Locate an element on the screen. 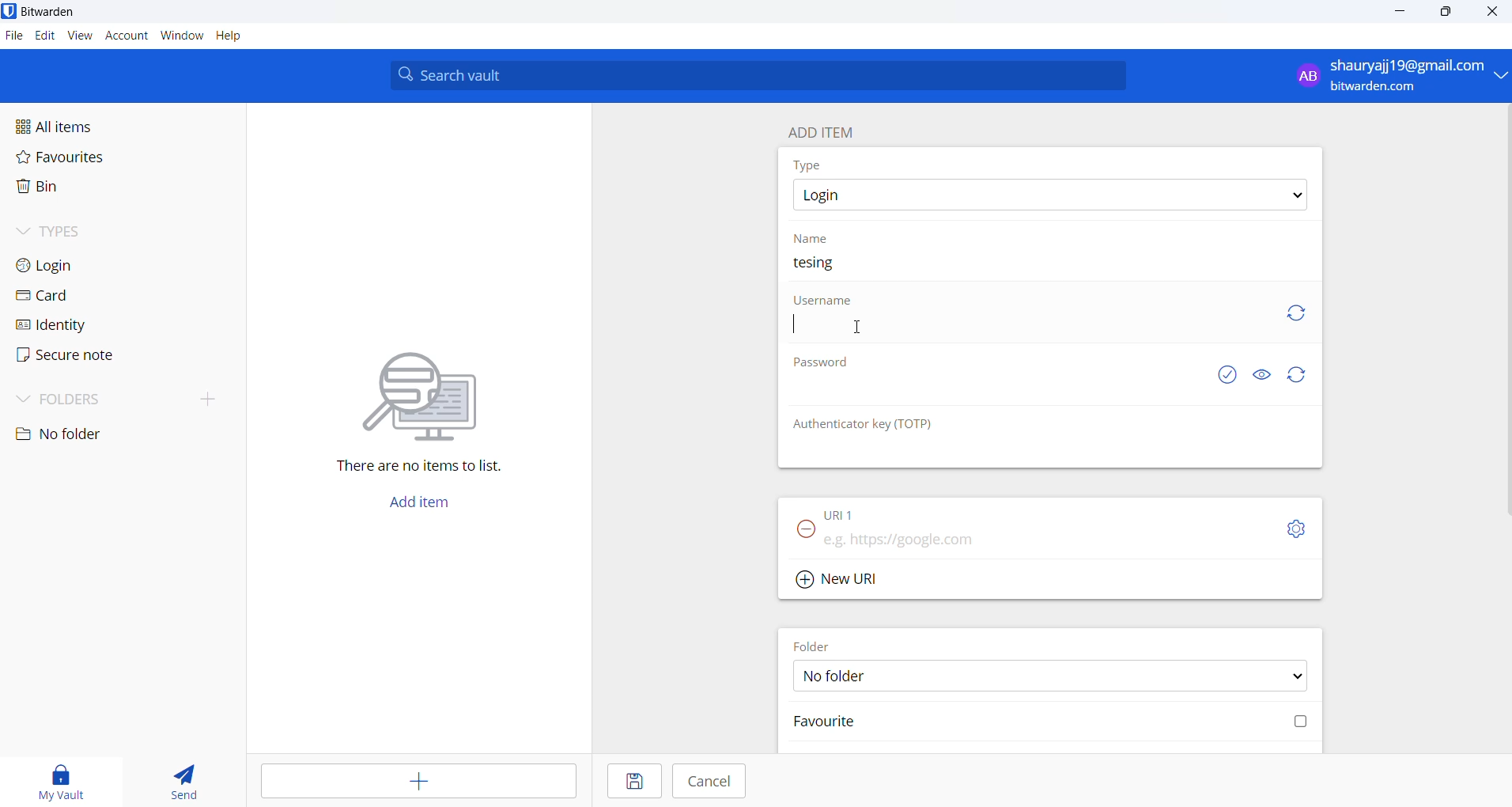 This screenshot has width=1512, height=807. help is located at coordinates (239, 36).